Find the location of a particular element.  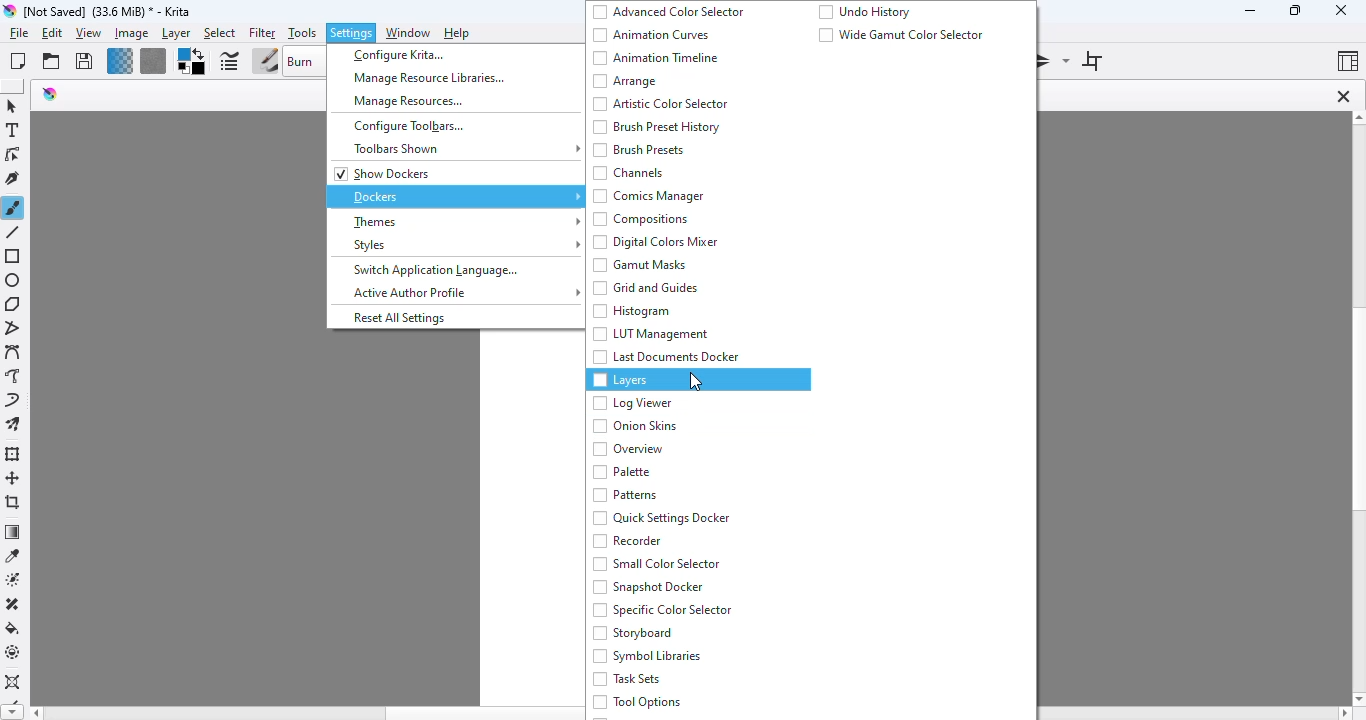

gamut masks is located at coordinates (641, 264).